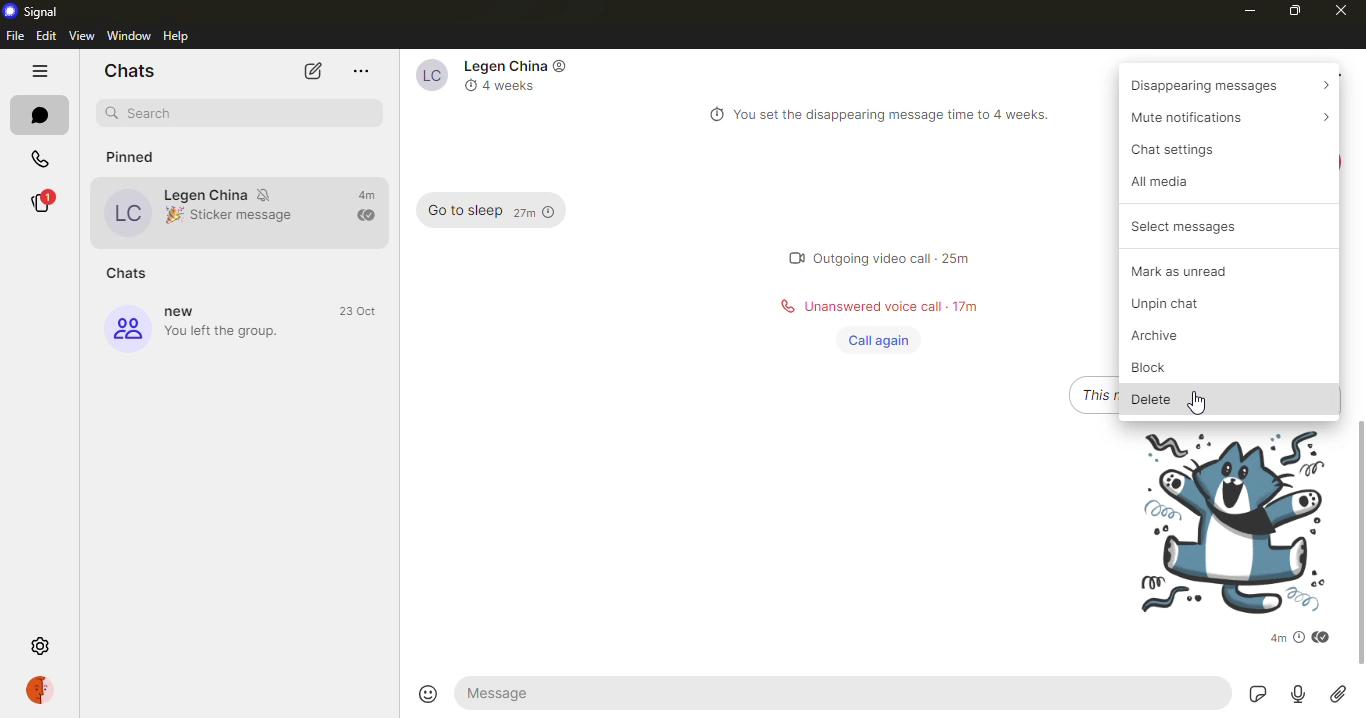  What do you see at coordinates (227, 332) in the screenshot?
I see `You left the group` at bounding box center [227, 332].